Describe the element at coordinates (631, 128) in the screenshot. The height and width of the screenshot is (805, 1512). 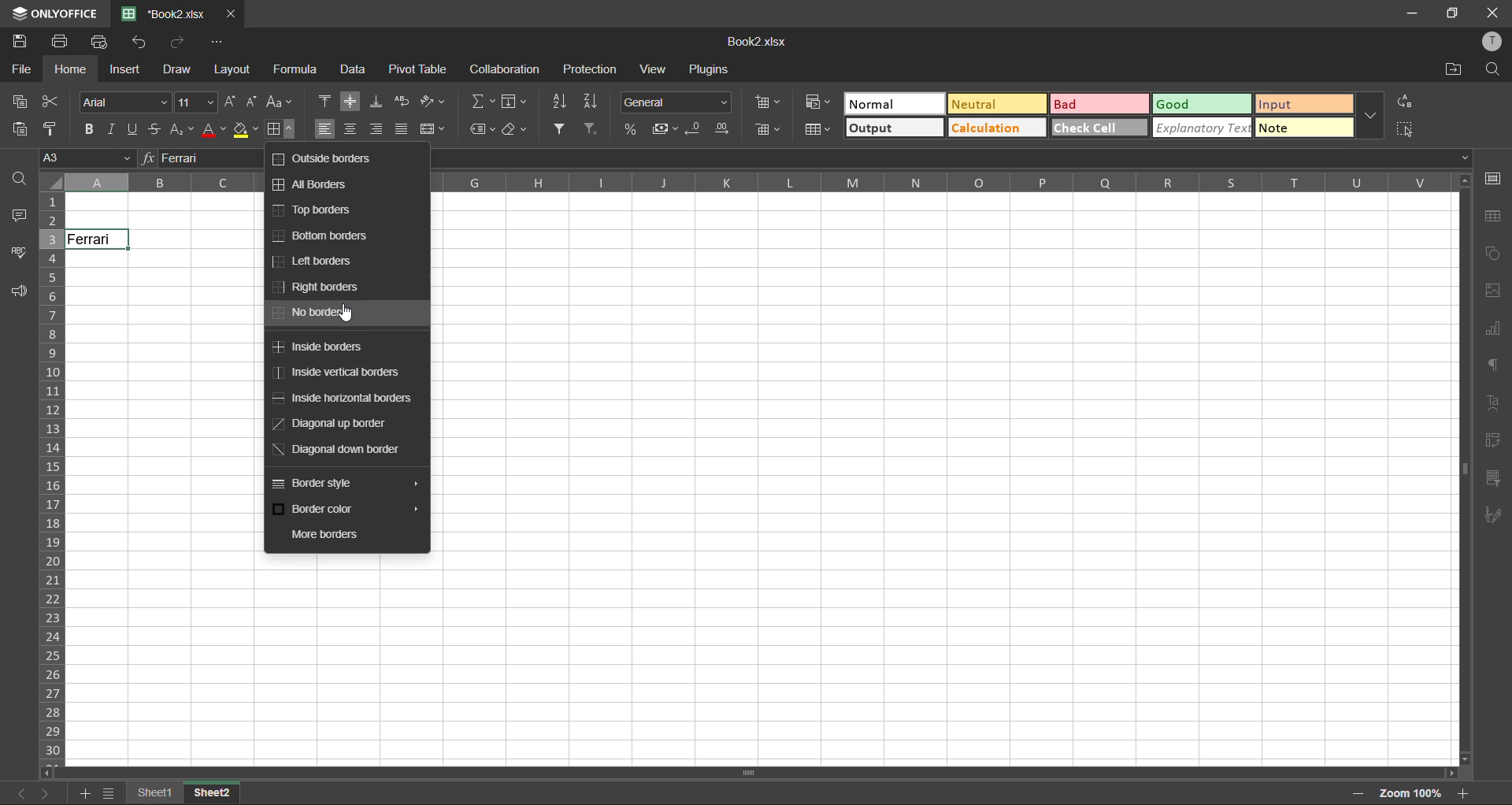
I see `percent` at that location.